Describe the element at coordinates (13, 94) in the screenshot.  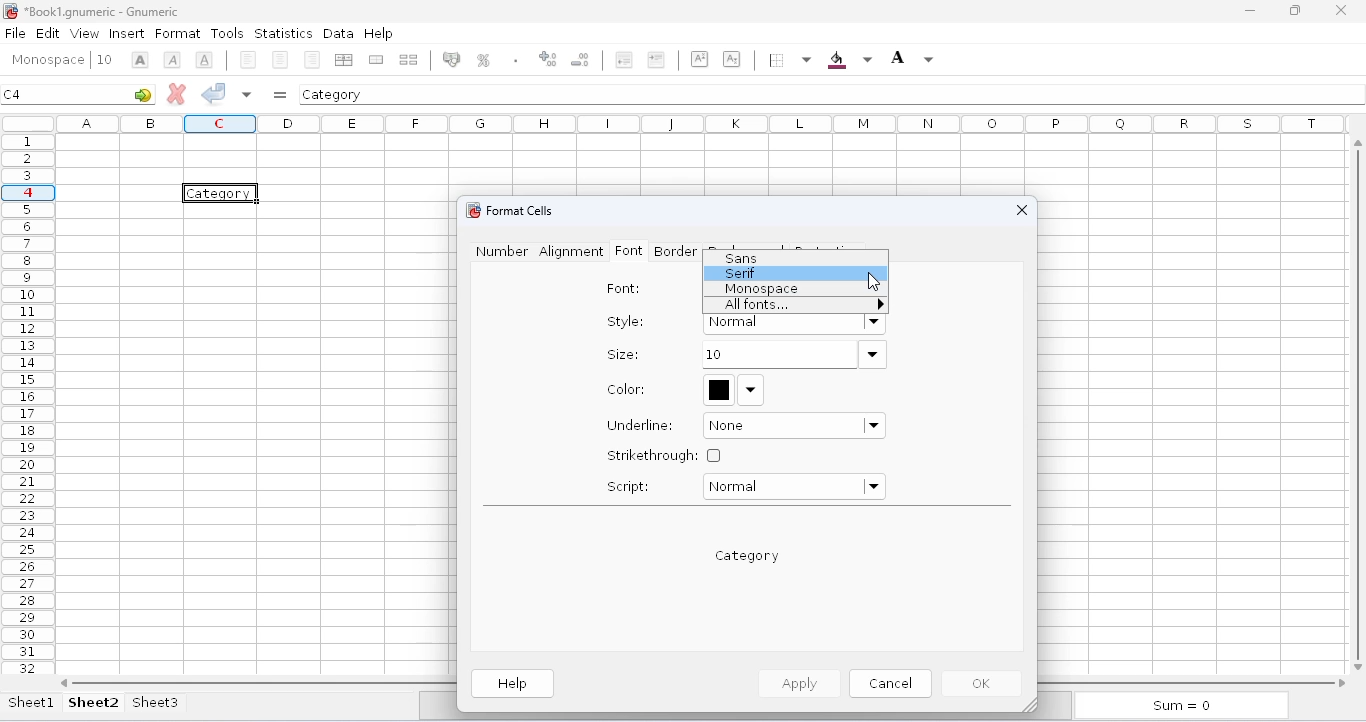
I see `C4` at that location.